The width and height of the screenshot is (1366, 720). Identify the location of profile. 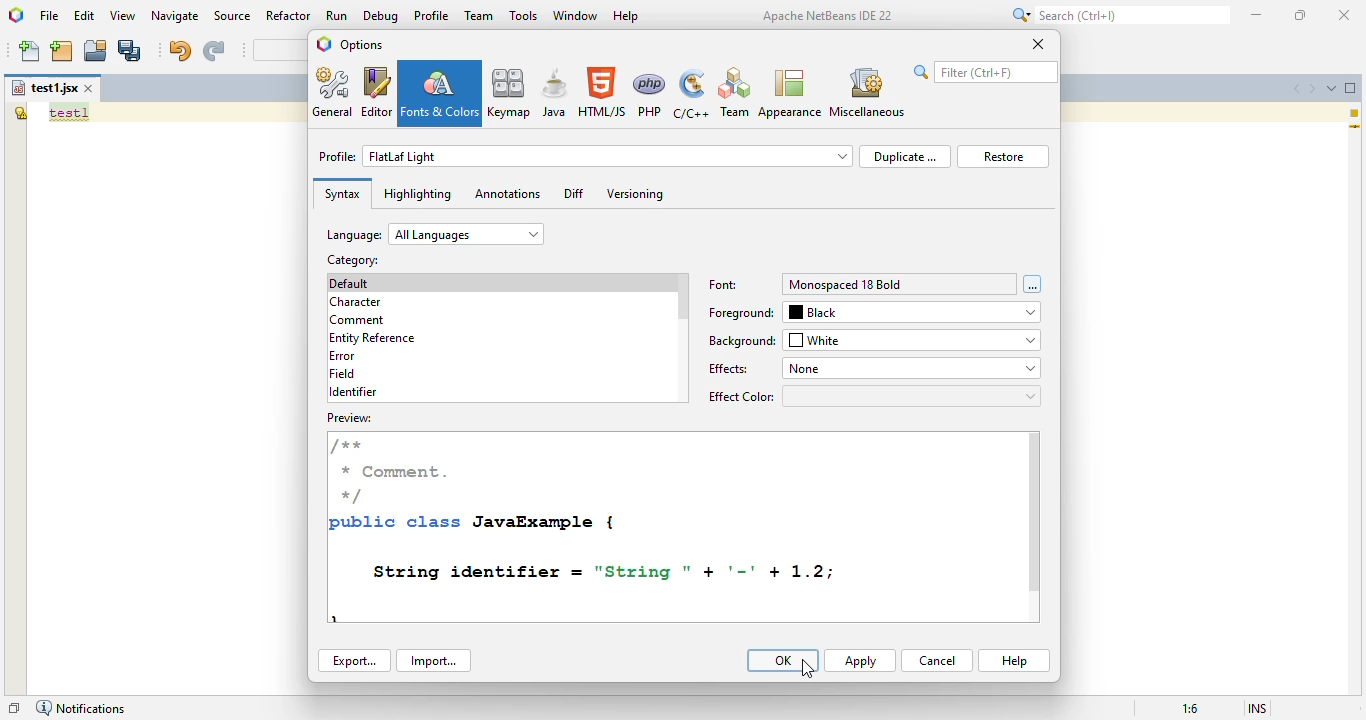
(586, 156).